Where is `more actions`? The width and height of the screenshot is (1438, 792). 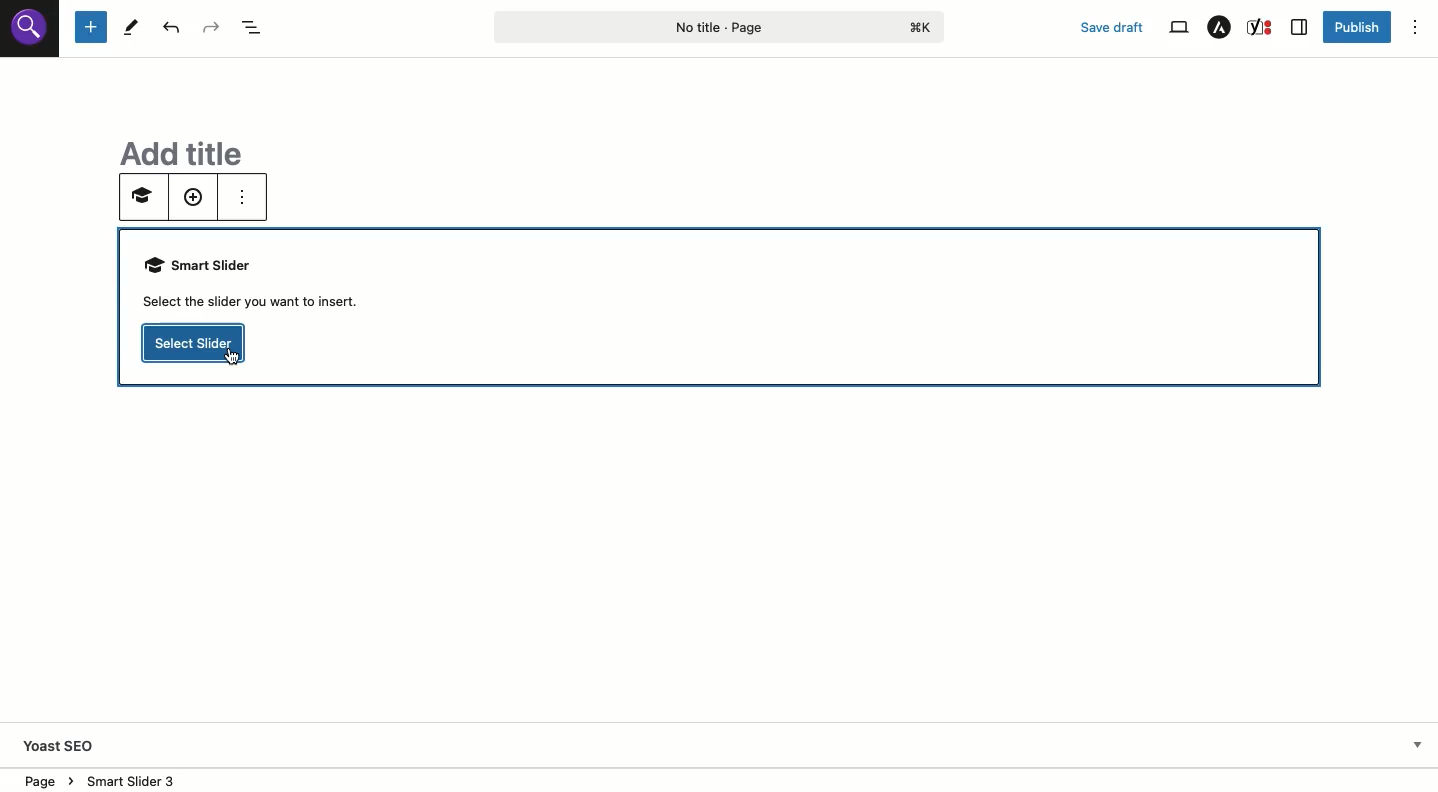
more actions is located at coordinates (239, 196).